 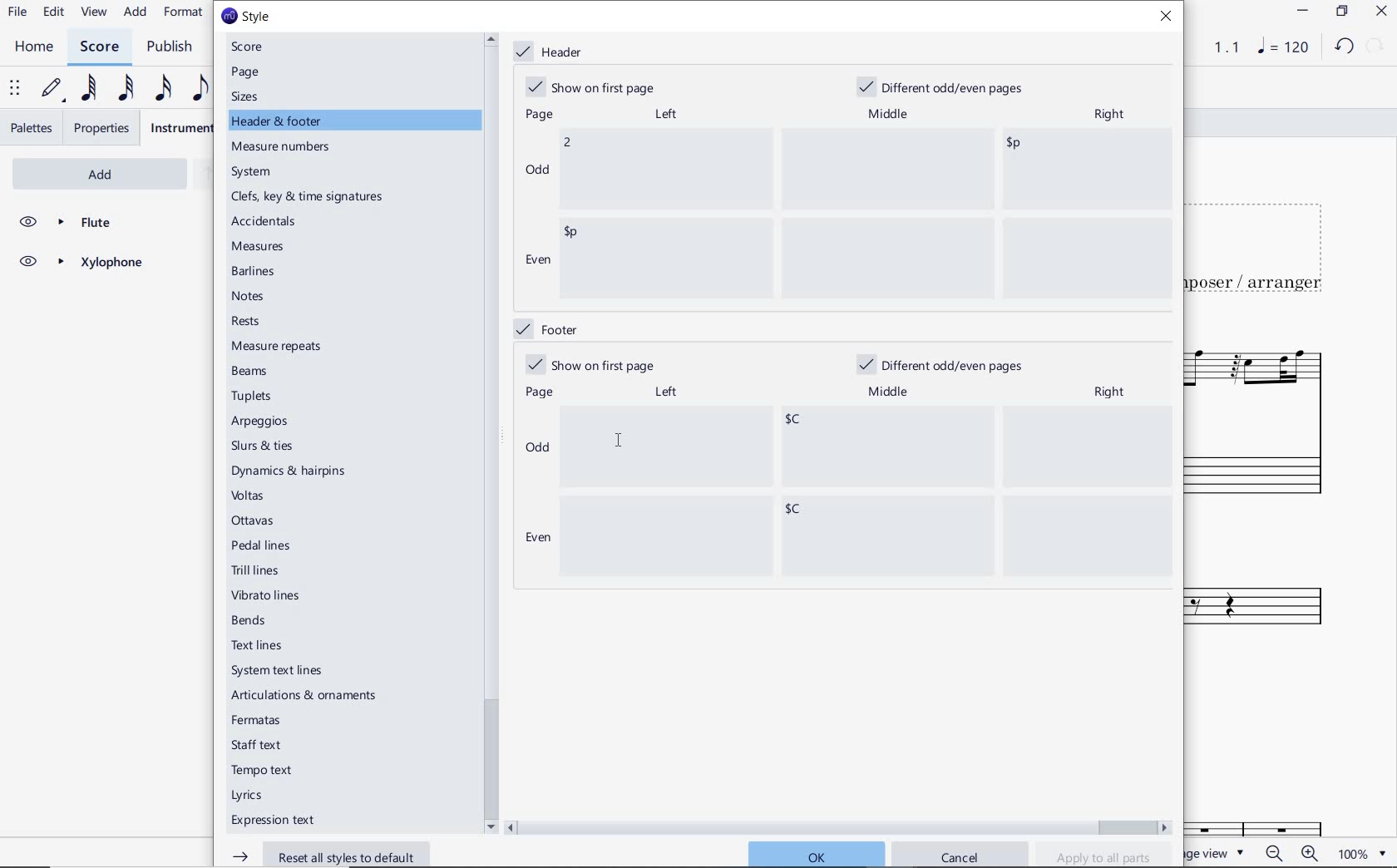 I want to click on different odd/even pages, so click(x=946, y=85).